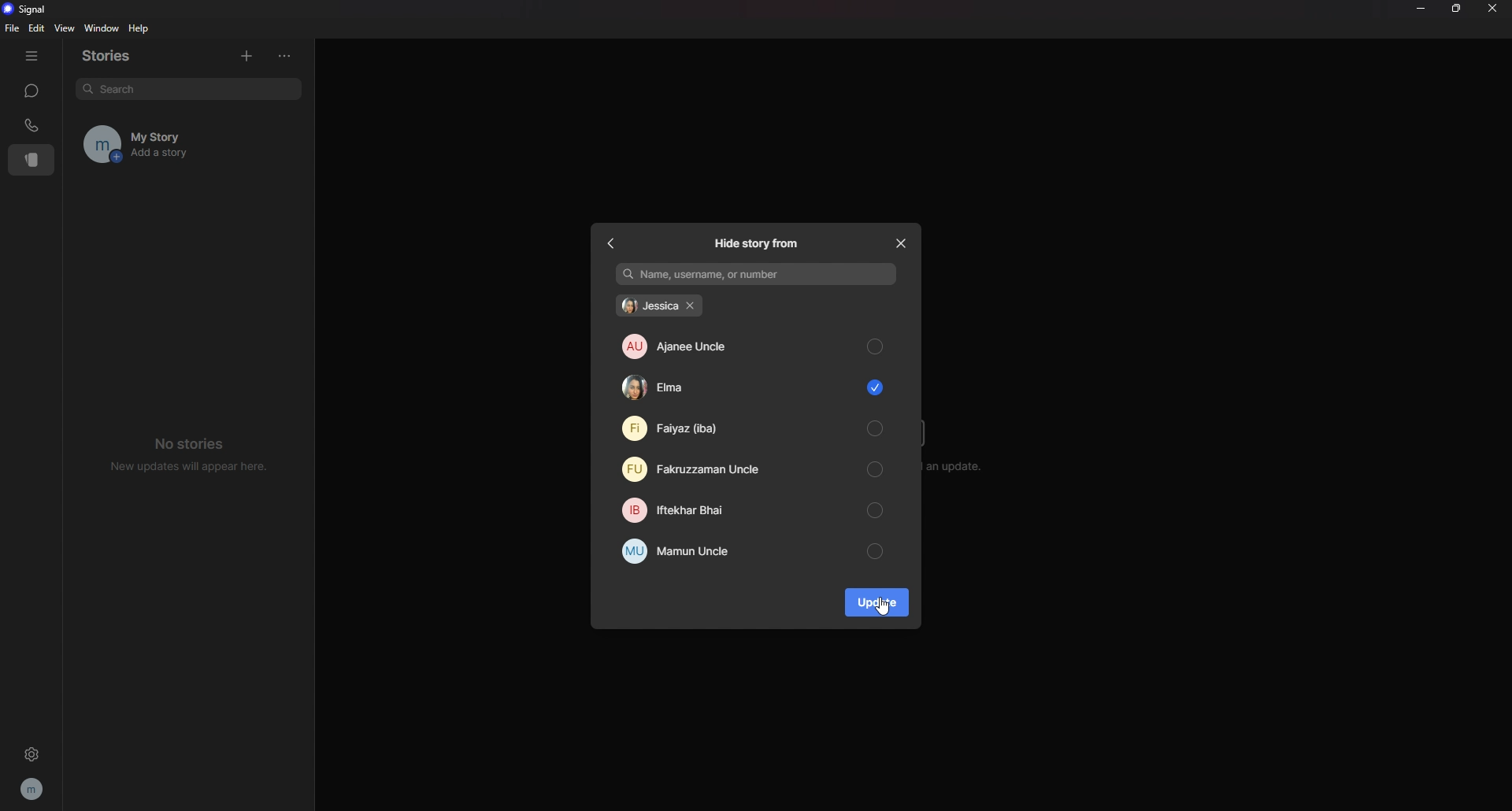 This screenshot has width=1512, height=811. What do you see at coordinates (140, 28) in the screenshot?
I see `help` at bounding box center [140, 28].